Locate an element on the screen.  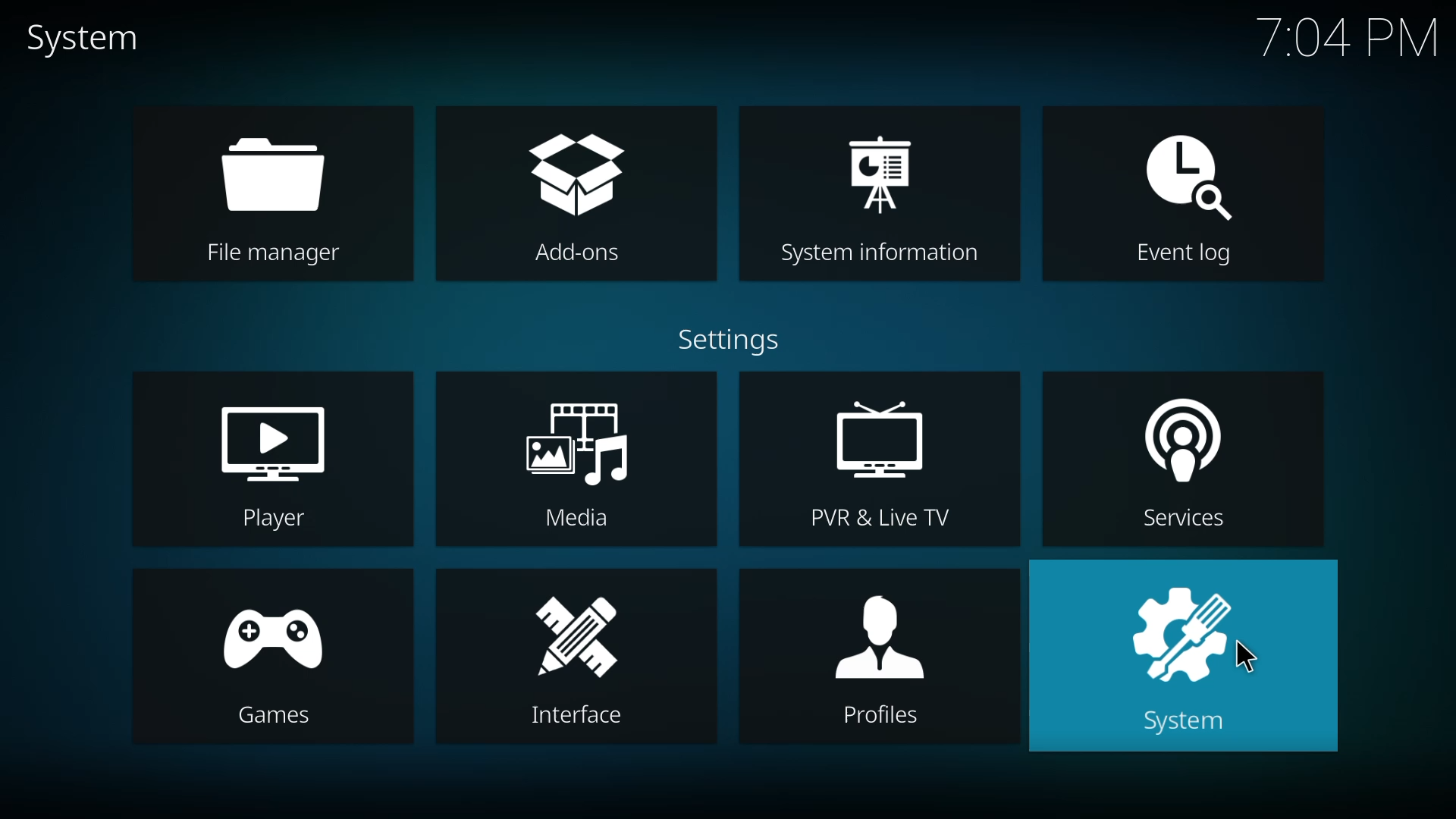
system is located at coordinates (93, 39).